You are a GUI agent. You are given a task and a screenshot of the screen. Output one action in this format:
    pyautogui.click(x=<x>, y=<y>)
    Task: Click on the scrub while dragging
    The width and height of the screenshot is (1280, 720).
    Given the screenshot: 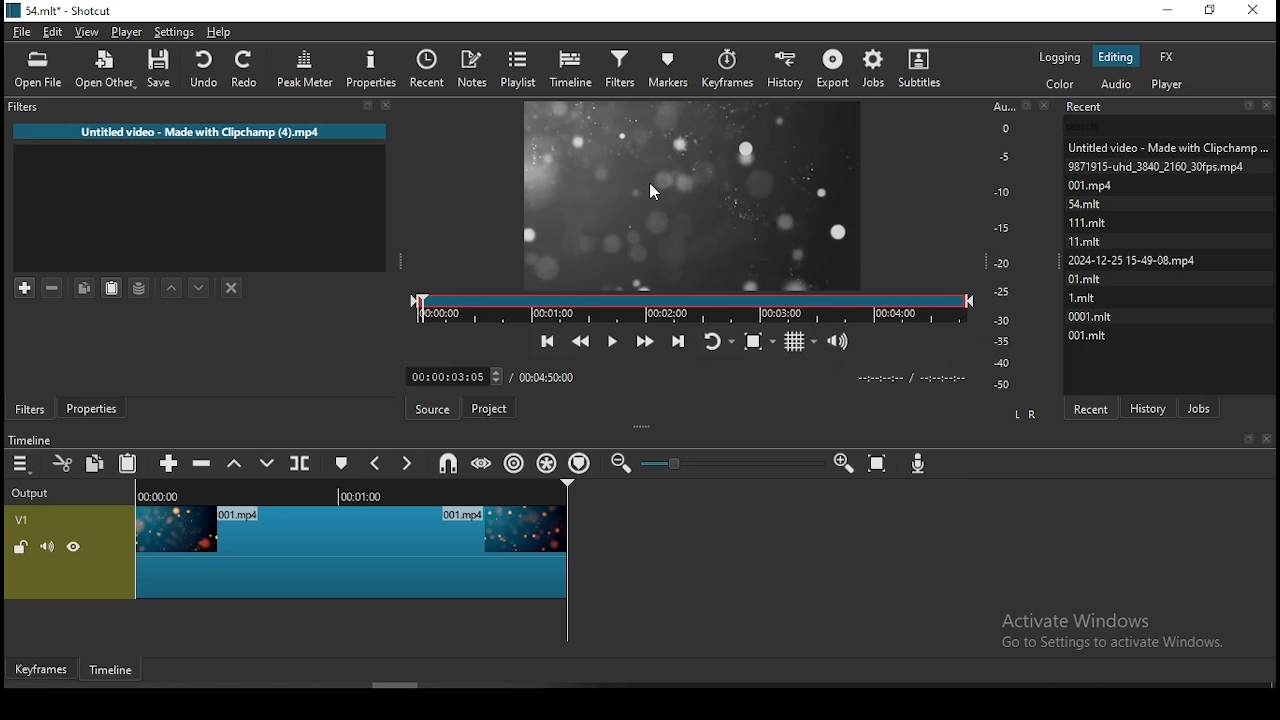 What is the action you would take?
    pyautogui.click(x=483, y=464)
    